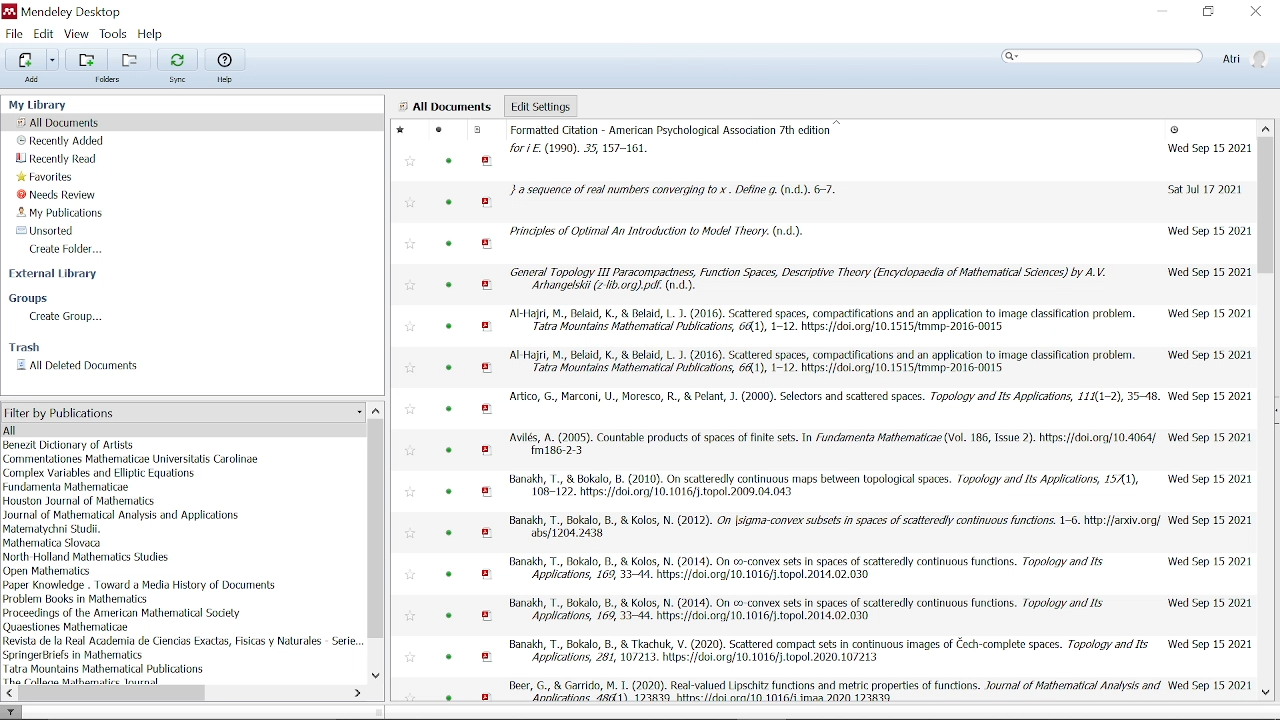 The width and height of the screenshot is (1280, 720). I want to click on citation, so click(833, 396).